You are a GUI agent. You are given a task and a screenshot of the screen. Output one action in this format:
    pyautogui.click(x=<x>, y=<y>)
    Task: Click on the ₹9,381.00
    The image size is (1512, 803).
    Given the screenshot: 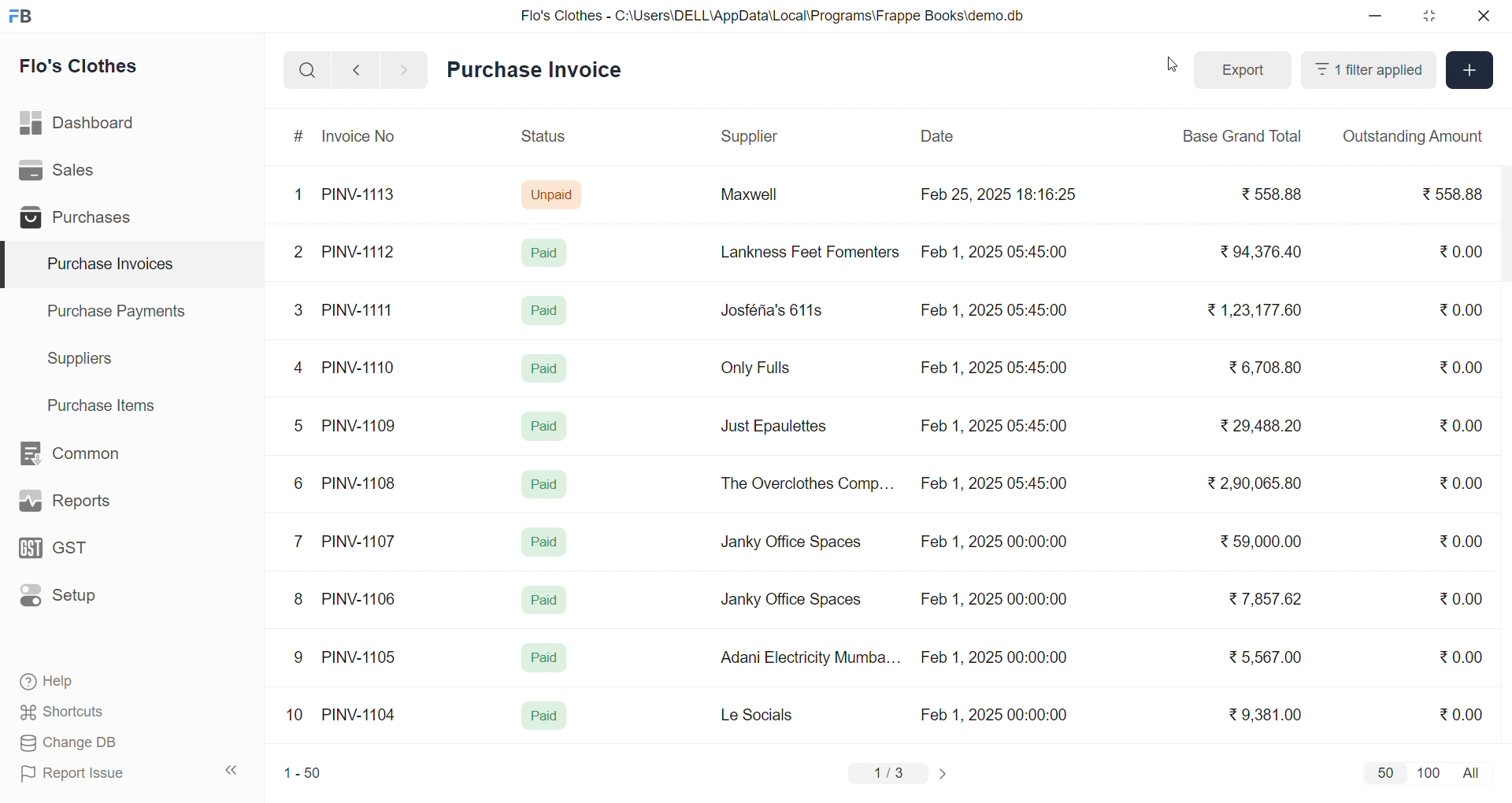 What is the action you would take?
    pyautogui.click(x=1266, y=715)
    